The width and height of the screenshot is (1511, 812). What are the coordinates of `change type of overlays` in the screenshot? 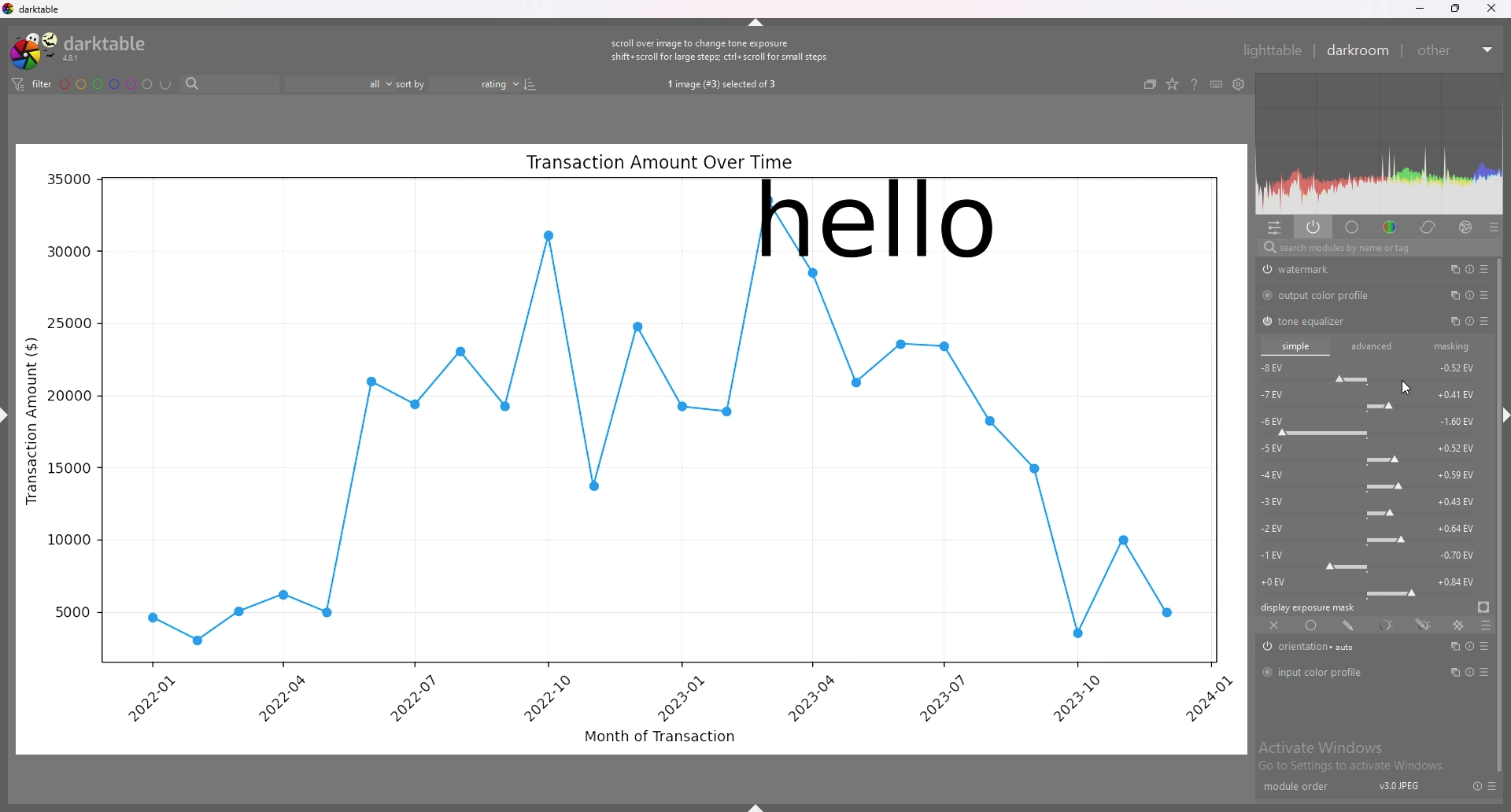 It's located at (1173, 83).